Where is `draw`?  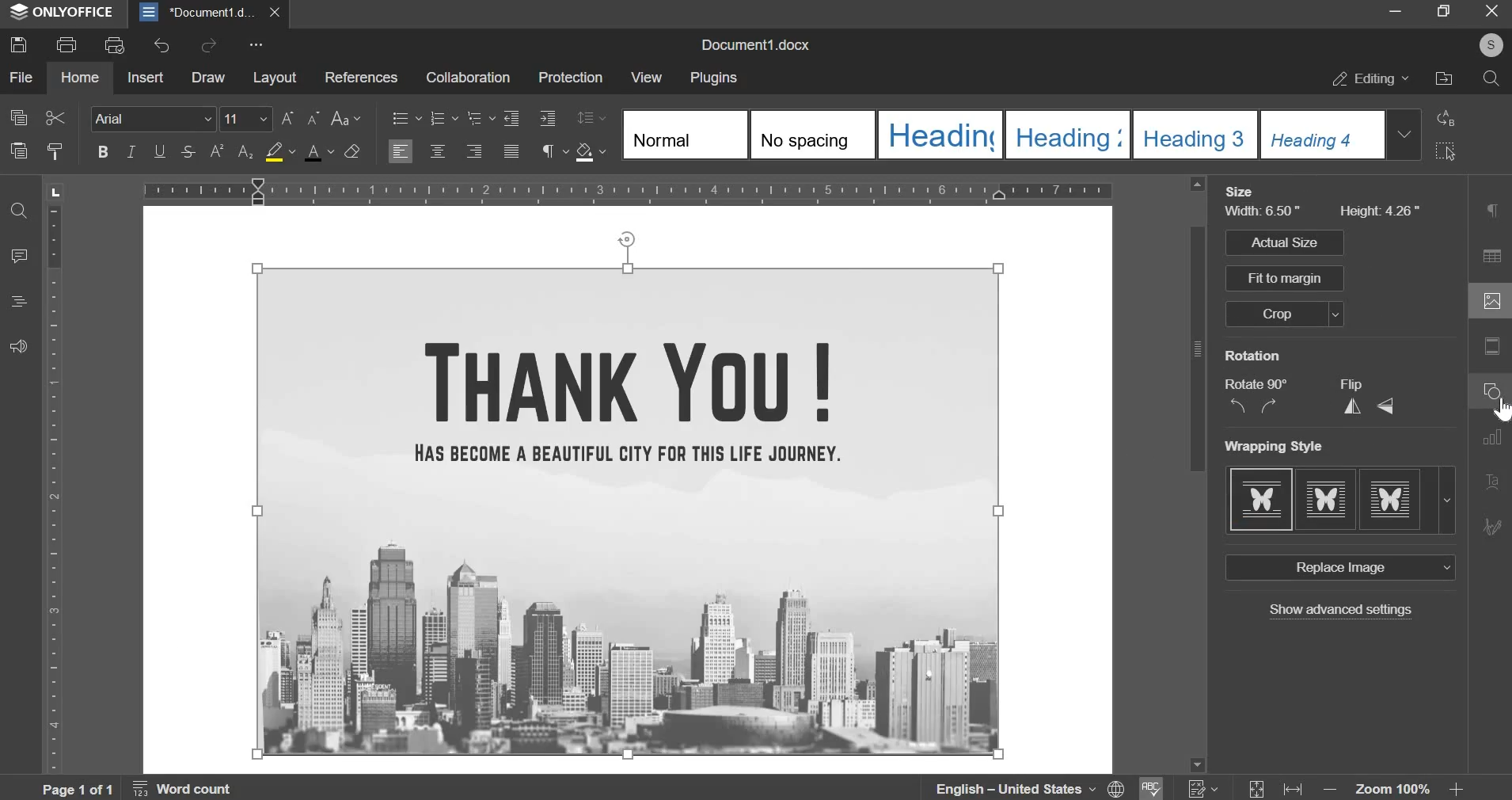 draw is located at coordinates (208, 76).